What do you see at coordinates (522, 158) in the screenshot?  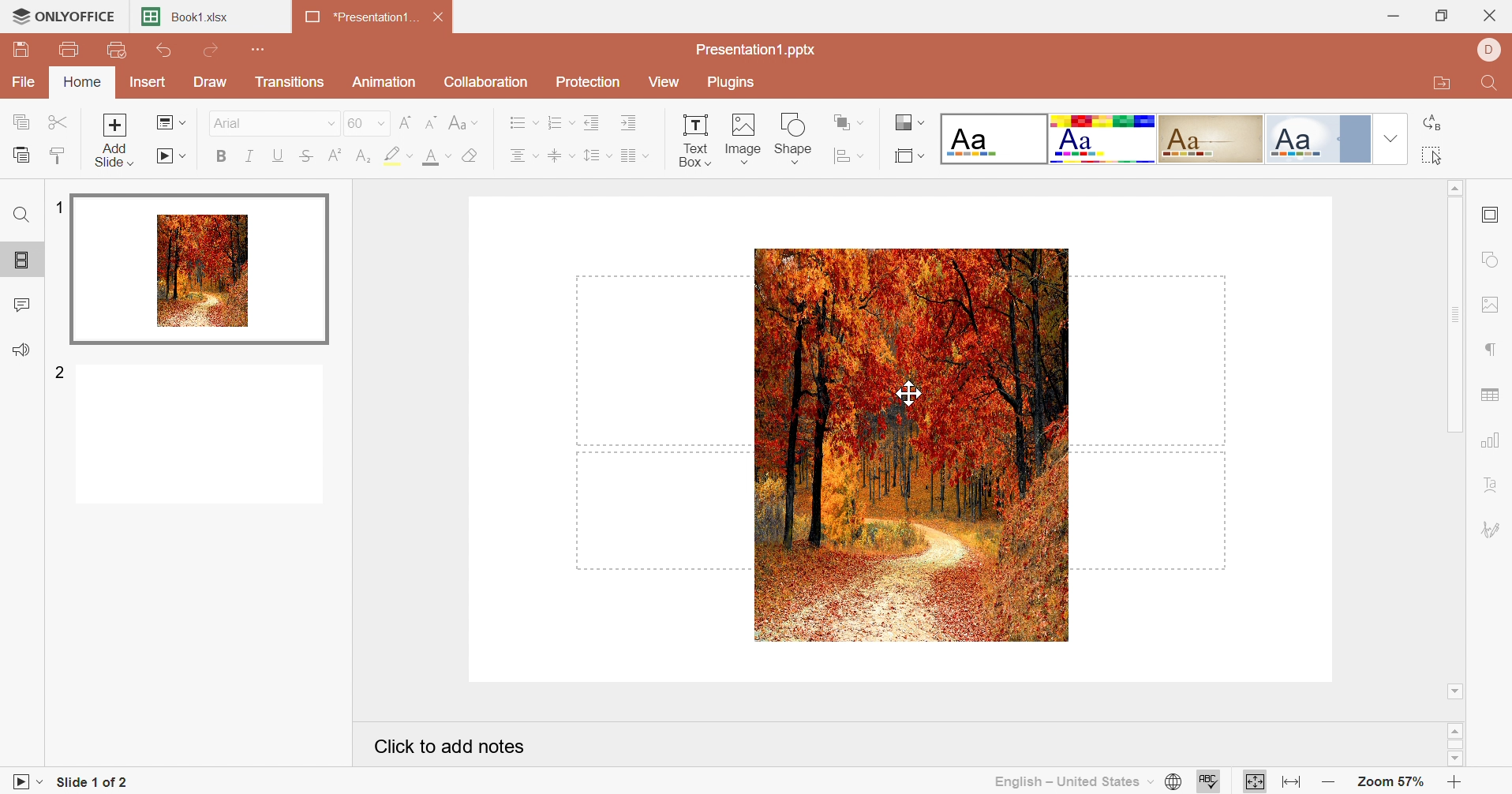 I see `Horizontal align` at bounding box center [522, 158].